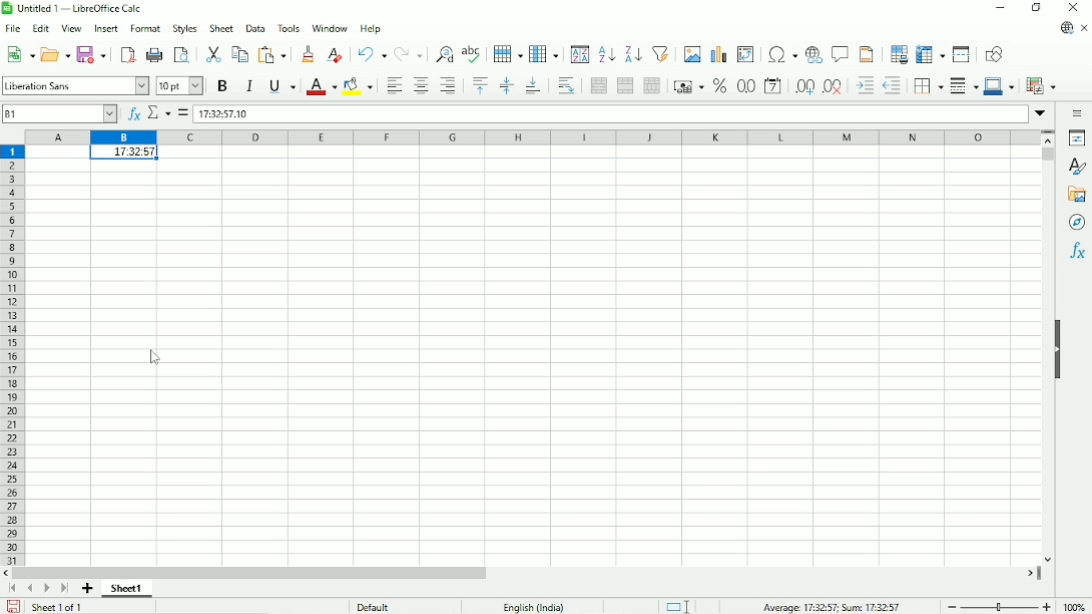 The width and height of the screenshot is (1092, 614). What do you see at coordinates (329, 29) in the screenshot?
I see `Window` at bounding box center [329, 29].